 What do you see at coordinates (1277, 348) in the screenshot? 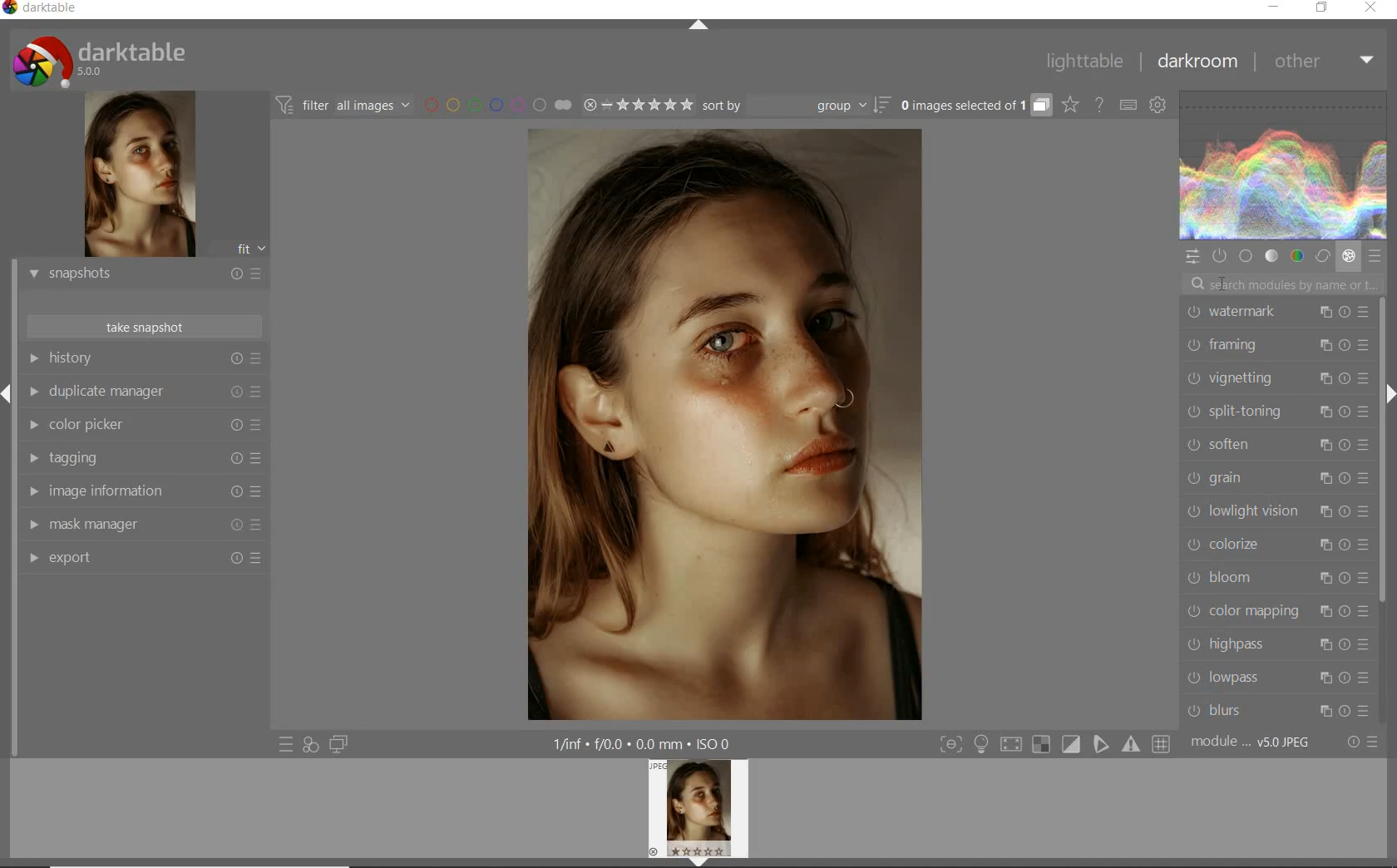
I see `framing` at bounding box center [1277, 348].